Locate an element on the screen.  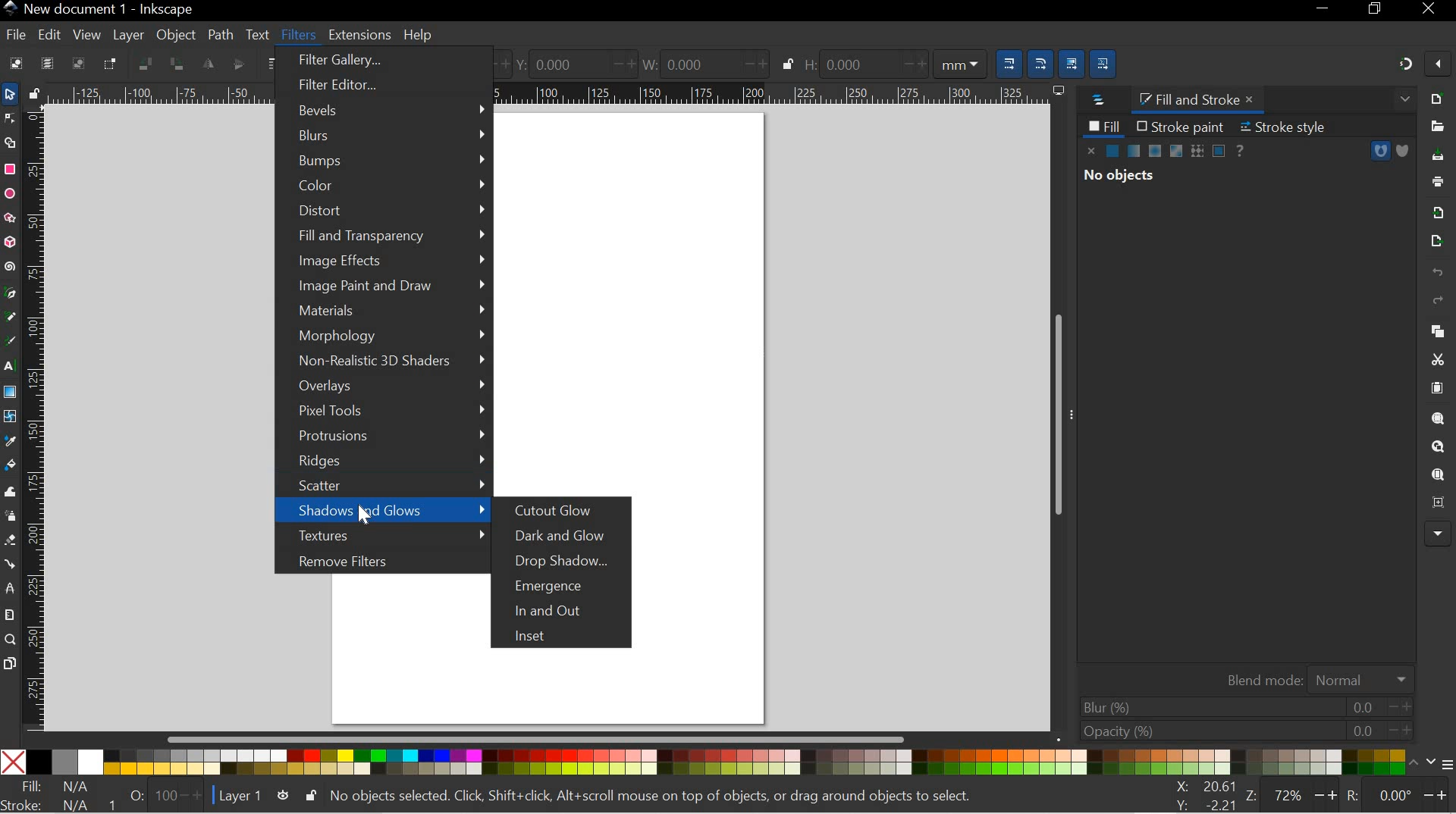
SCATTER is located at coordinates (381, 486).